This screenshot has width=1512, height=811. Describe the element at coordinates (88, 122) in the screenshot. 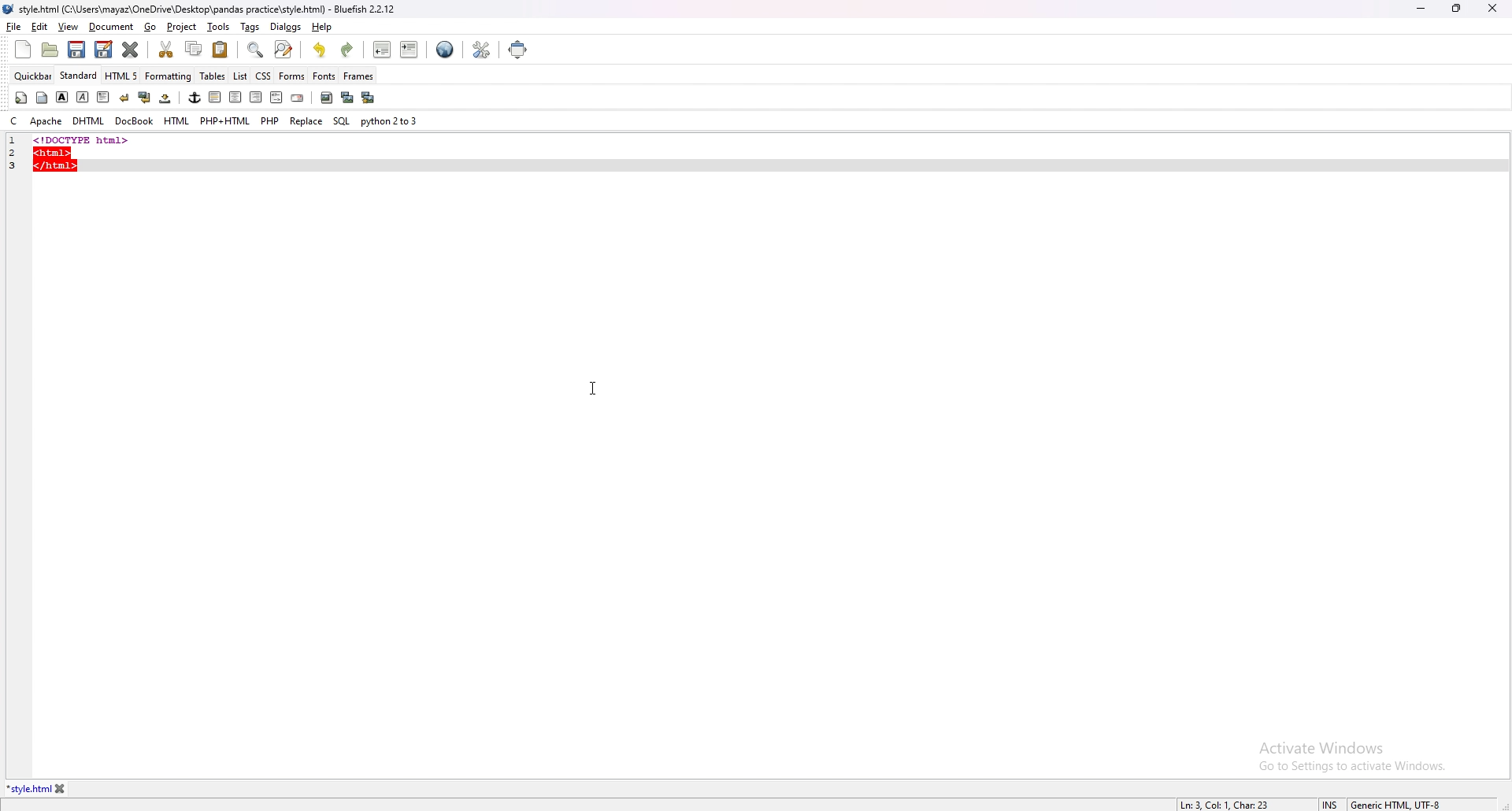

I see `dhtml` at that location.